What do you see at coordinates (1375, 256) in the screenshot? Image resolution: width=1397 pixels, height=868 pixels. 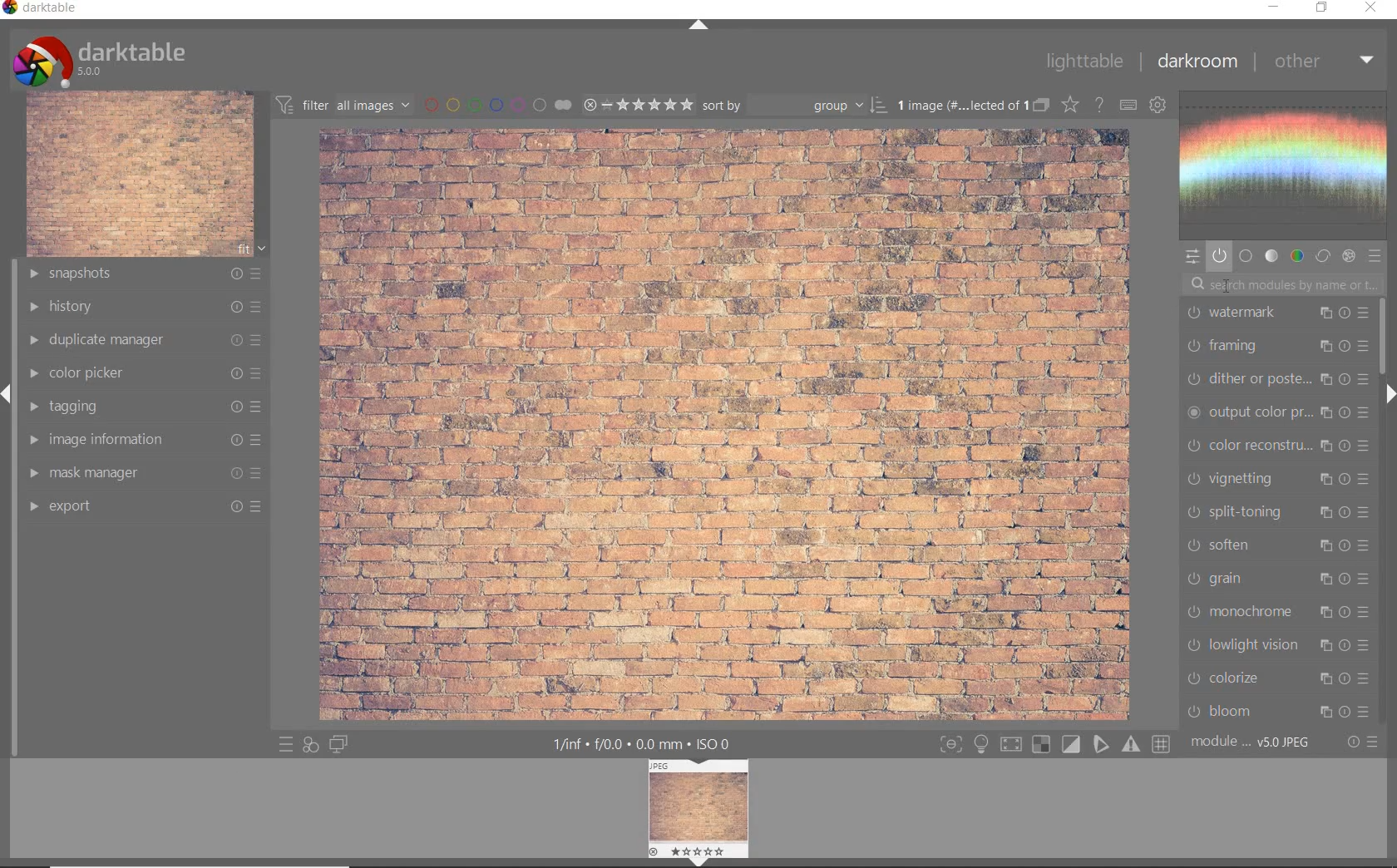 I see `preset` at bounding box center [1375, 256].